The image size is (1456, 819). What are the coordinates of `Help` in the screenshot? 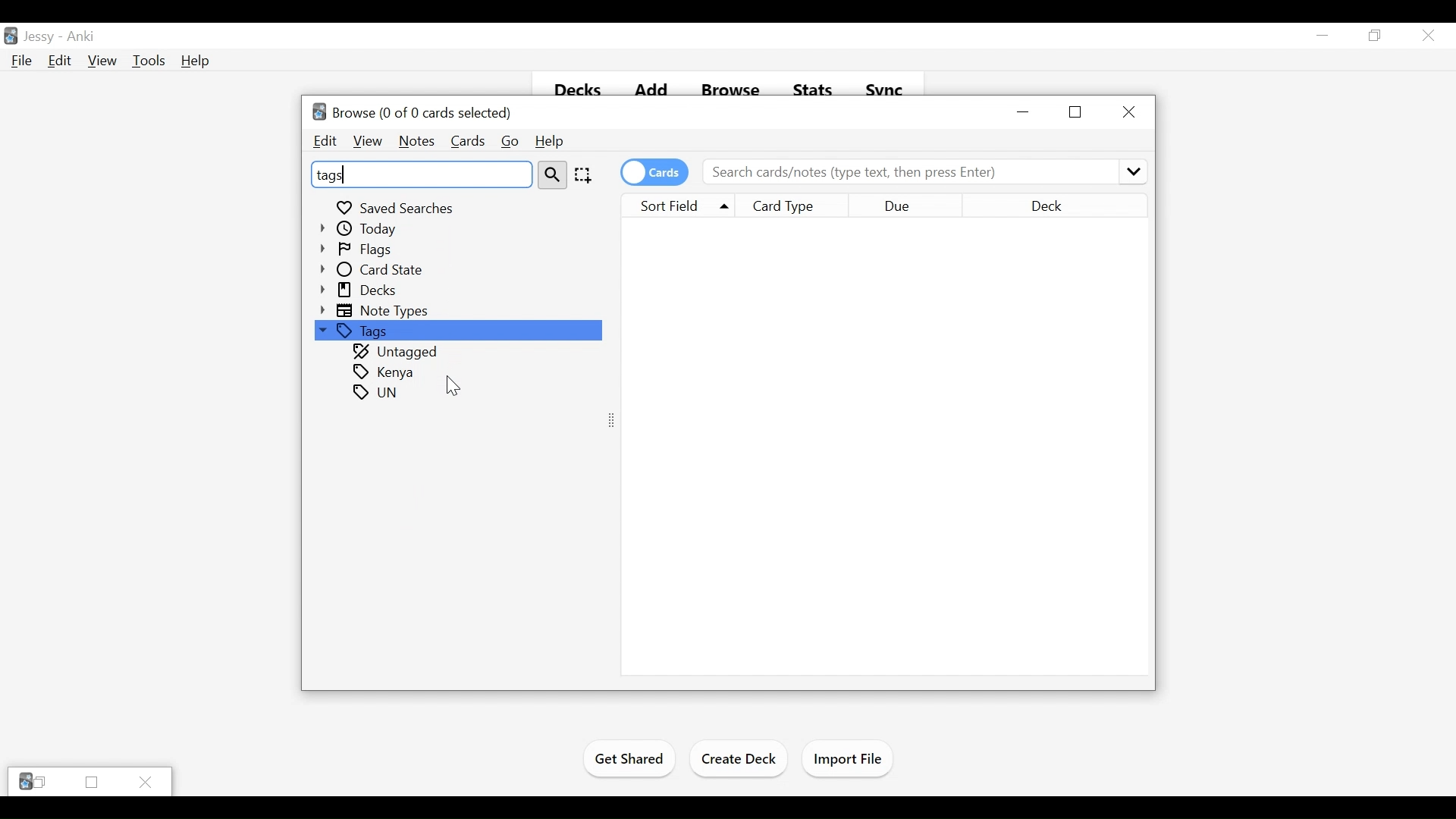 It's located at (196, 61).